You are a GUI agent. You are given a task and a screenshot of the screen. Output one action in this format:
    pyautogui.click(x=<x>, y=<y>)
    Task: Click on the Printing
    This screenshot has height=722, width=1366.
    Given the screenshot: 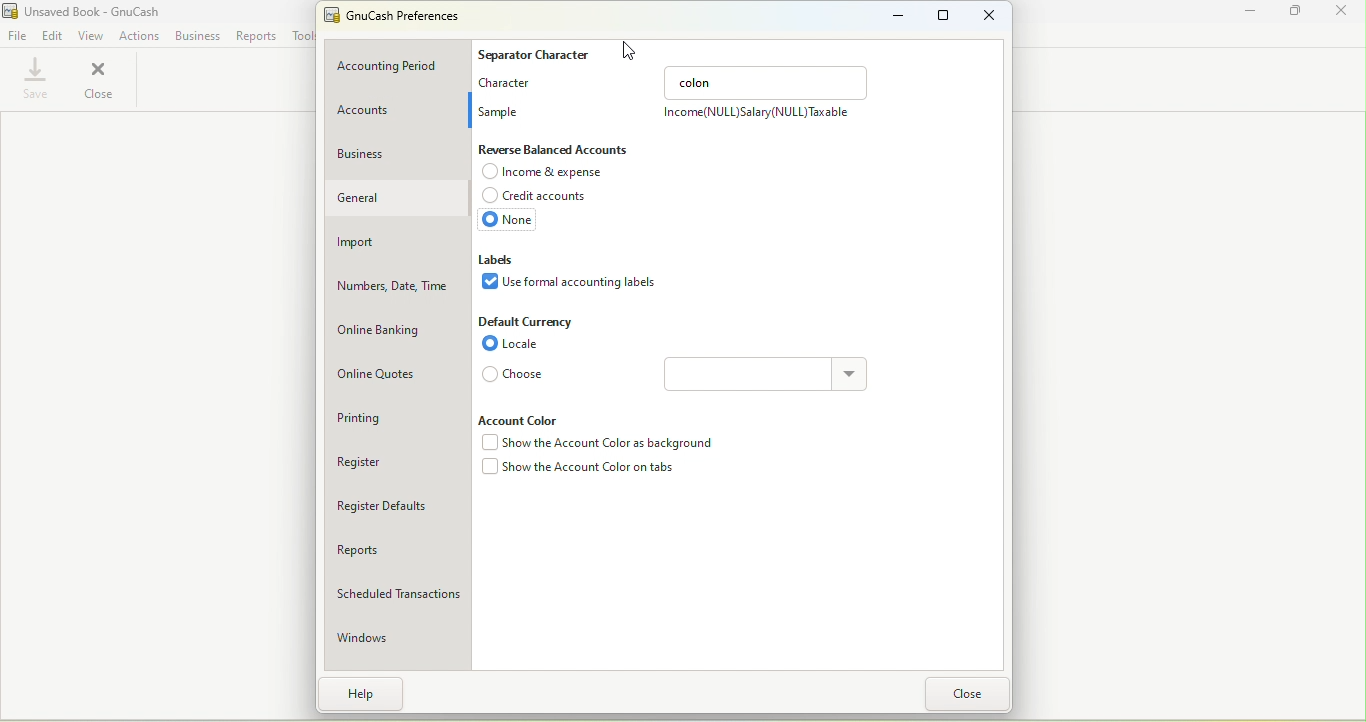 What is the action you would take?
    pyautogui.click(x=397, y=420)
    